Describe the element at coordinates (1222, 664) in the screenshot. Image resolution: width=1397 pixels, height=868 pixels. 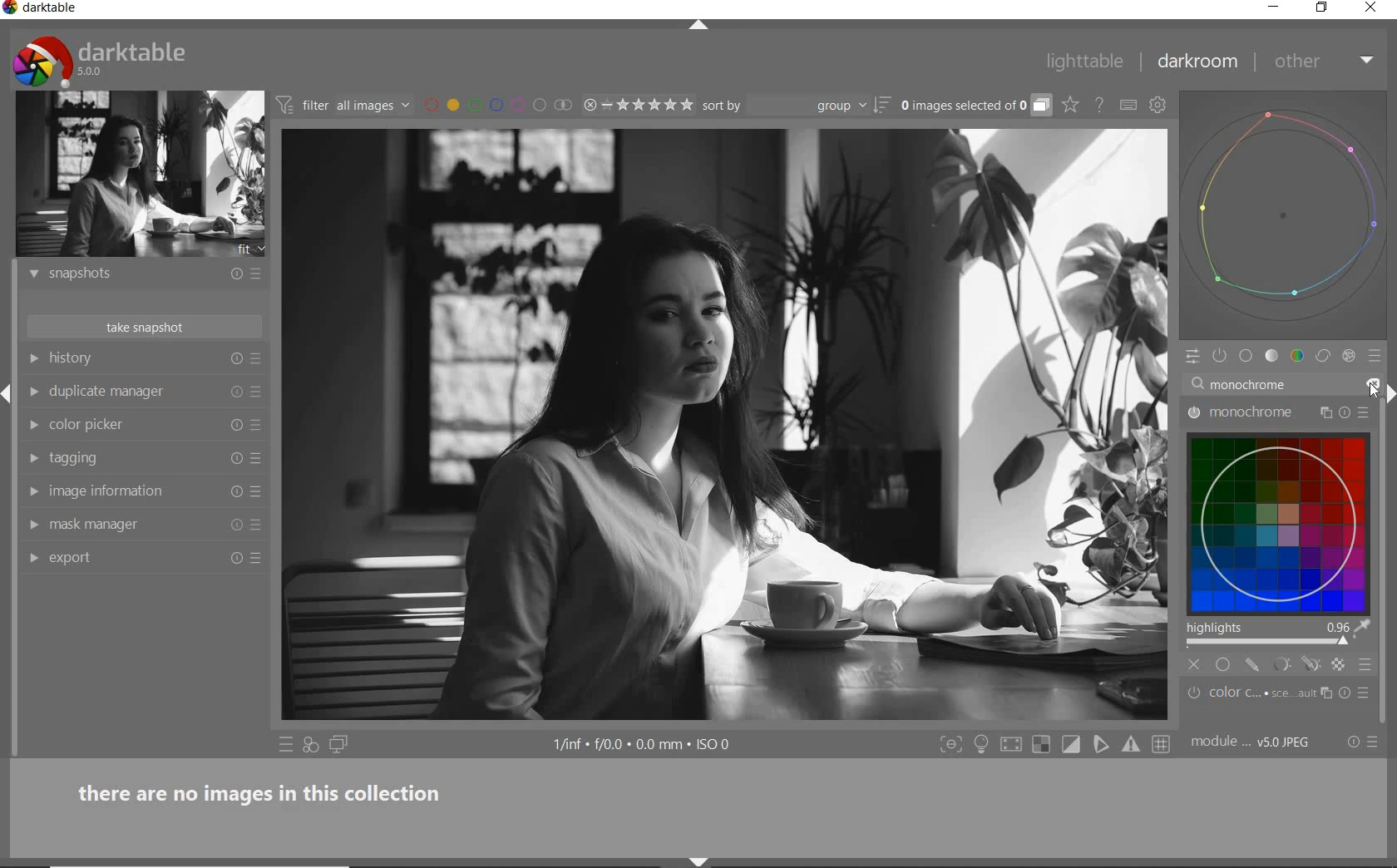
I see `uniformly` at that location.